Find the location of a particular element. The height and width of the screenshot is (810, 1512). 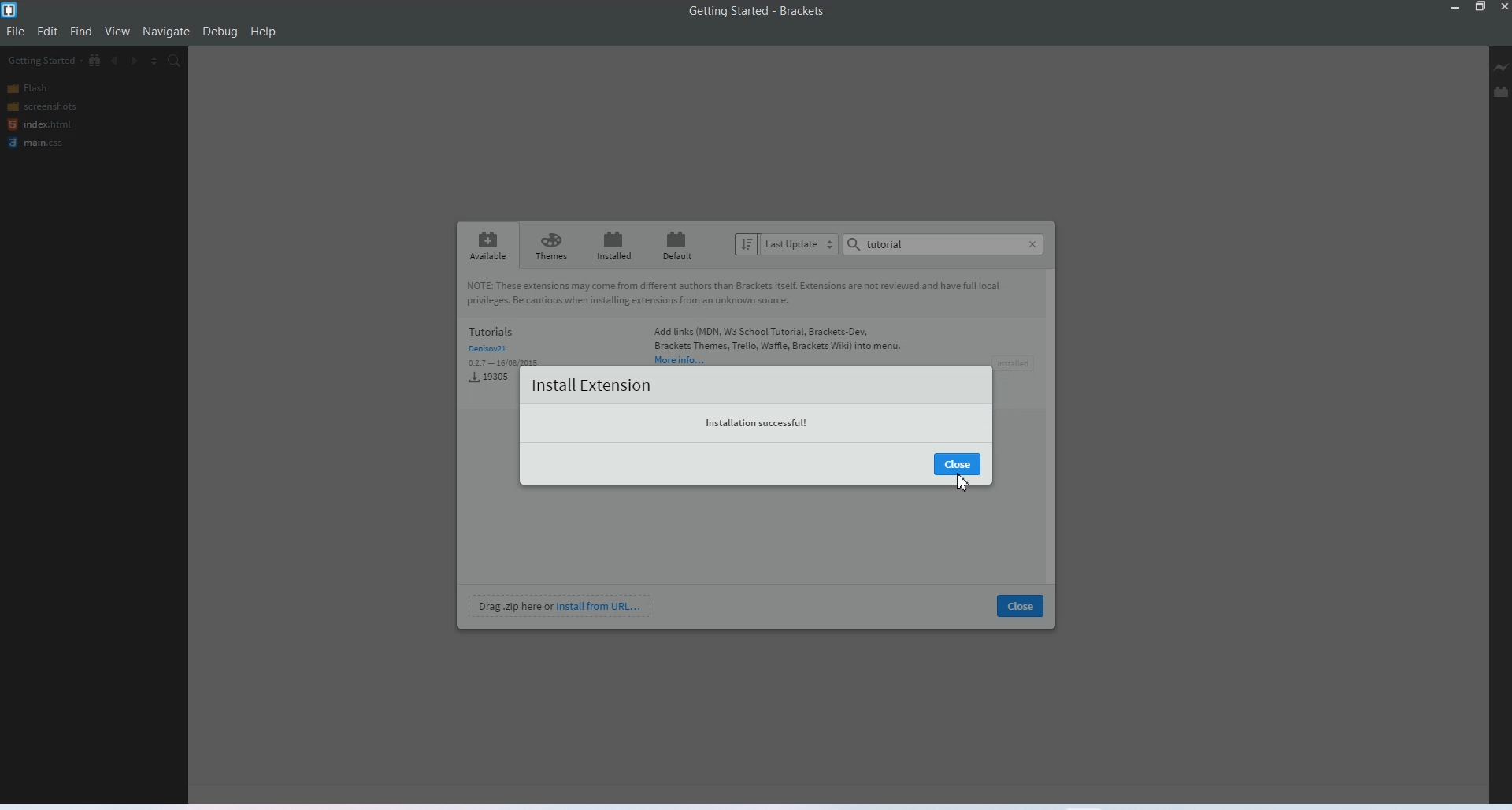

Install Extension is located at coordinates (590, 385).